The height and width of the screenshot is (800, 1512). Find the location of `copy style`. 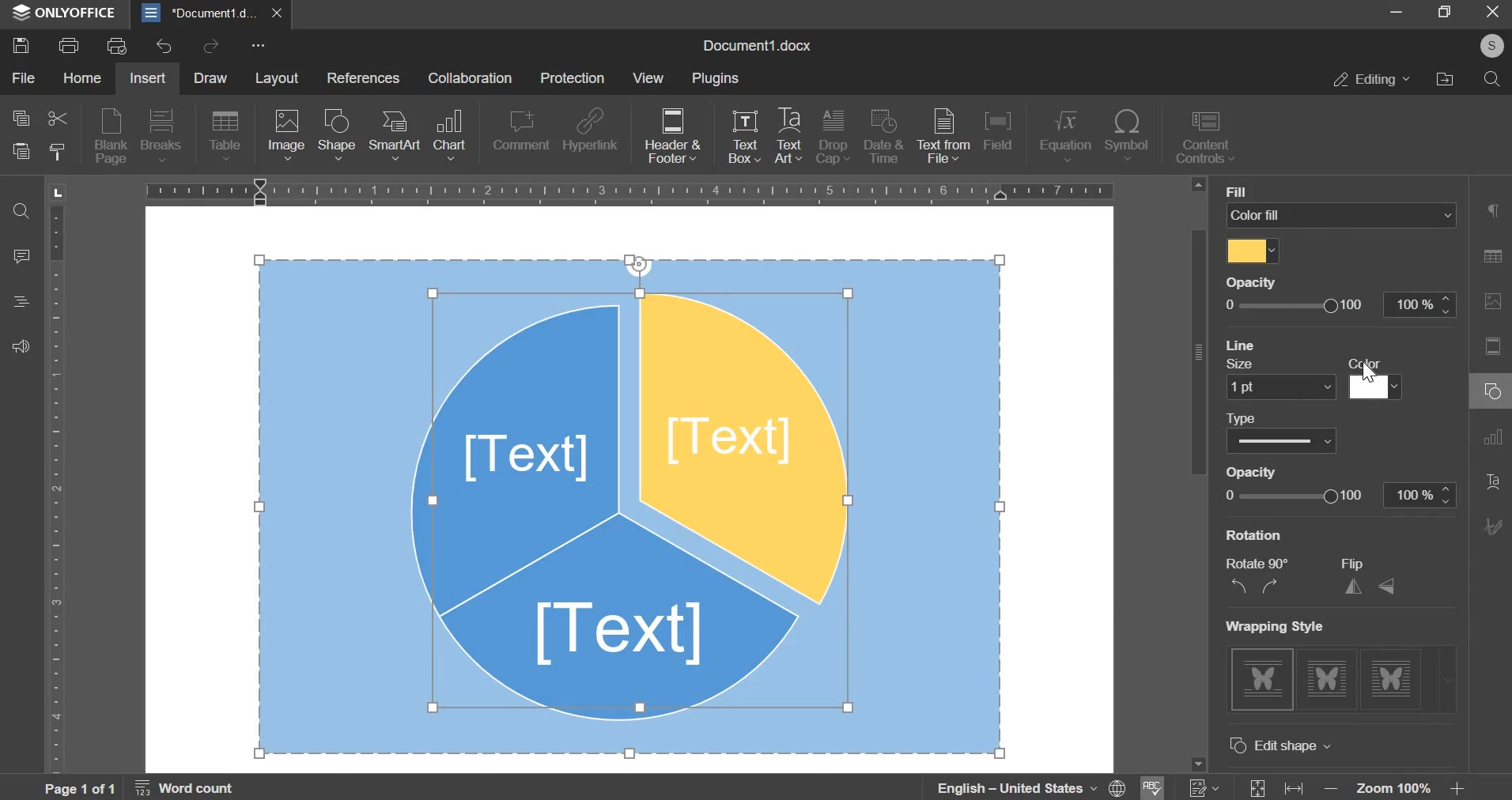

copy style is located at coordinates (60, 156).